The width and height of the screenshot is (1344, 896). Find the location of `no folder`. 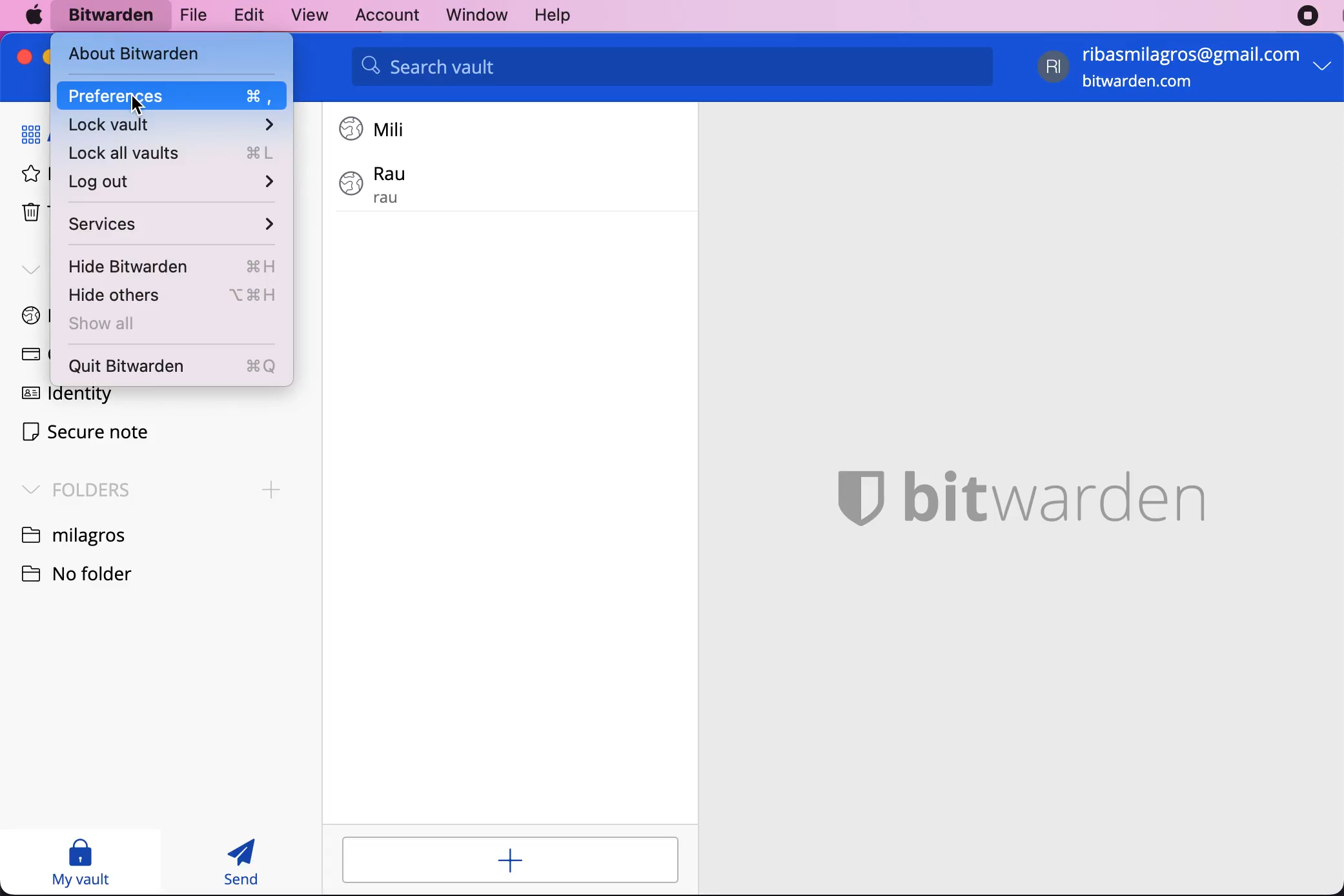

no folder is located at coordinates (87, 572).